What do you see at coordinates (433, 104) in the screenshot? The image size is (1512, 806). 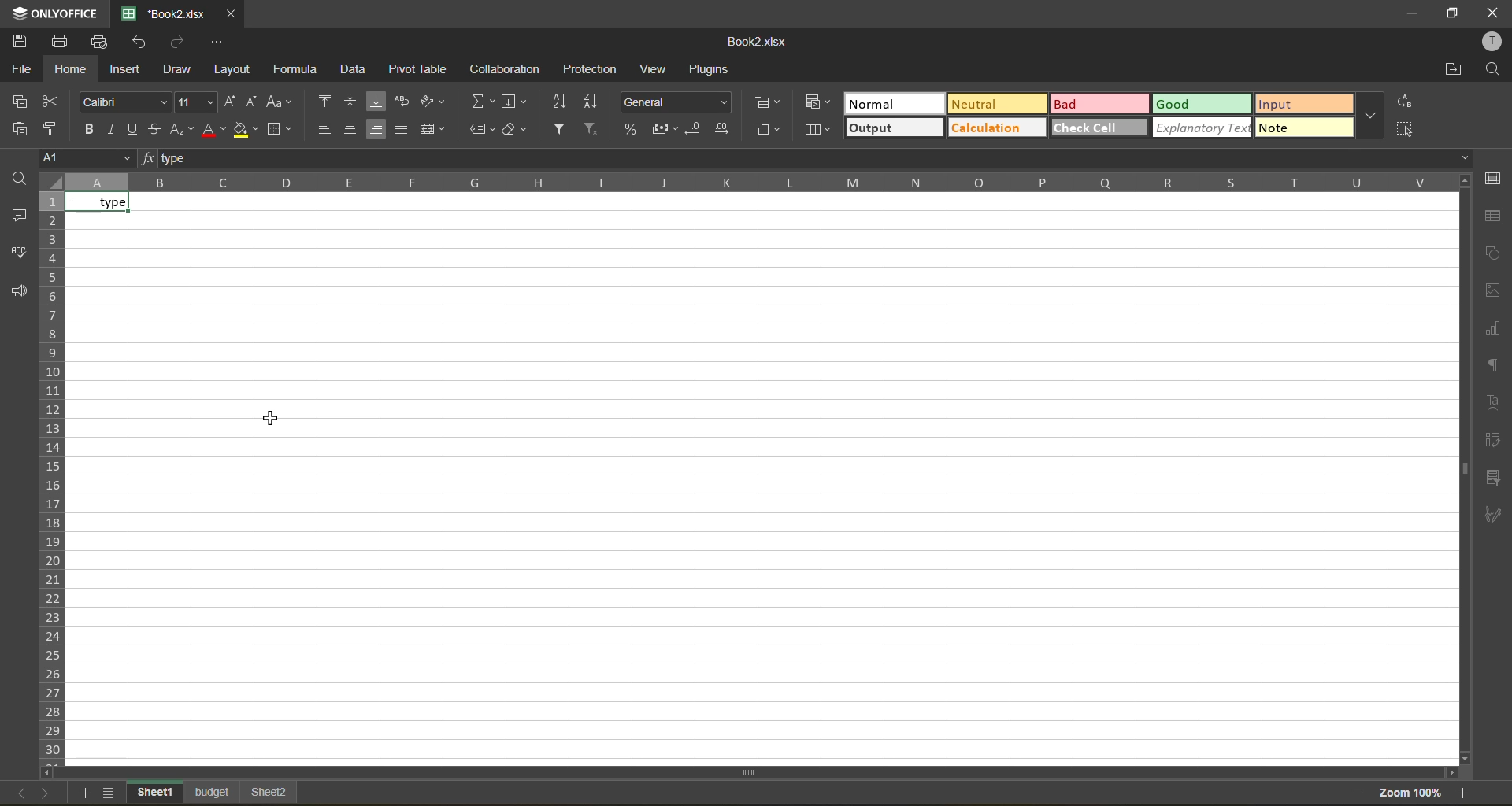 I see `orientation` at bounding box center [433, 104].